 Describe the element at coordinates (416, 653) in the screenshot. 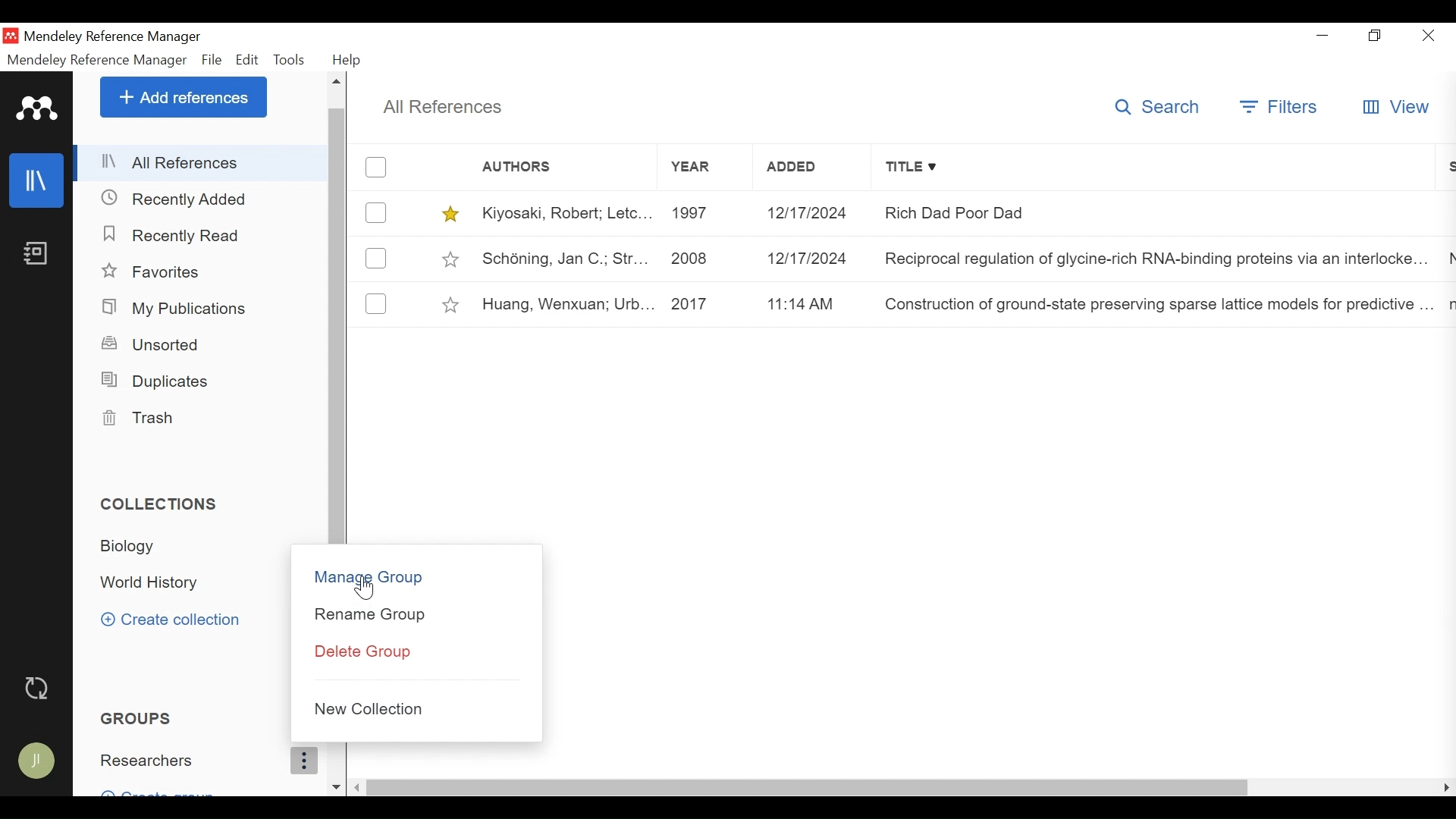

I see `Delete Group` at that location.